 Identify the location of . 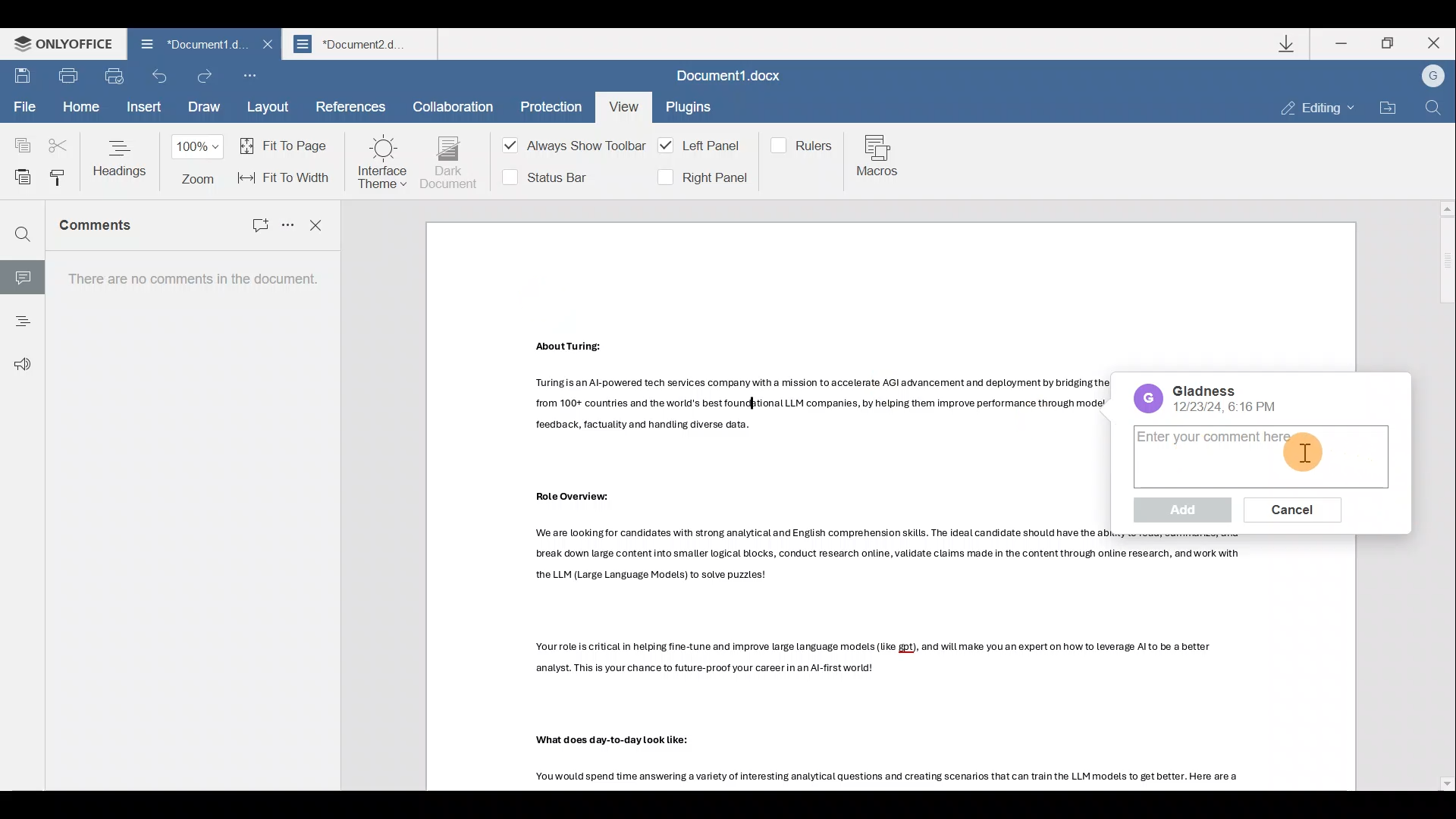
(614, 740).